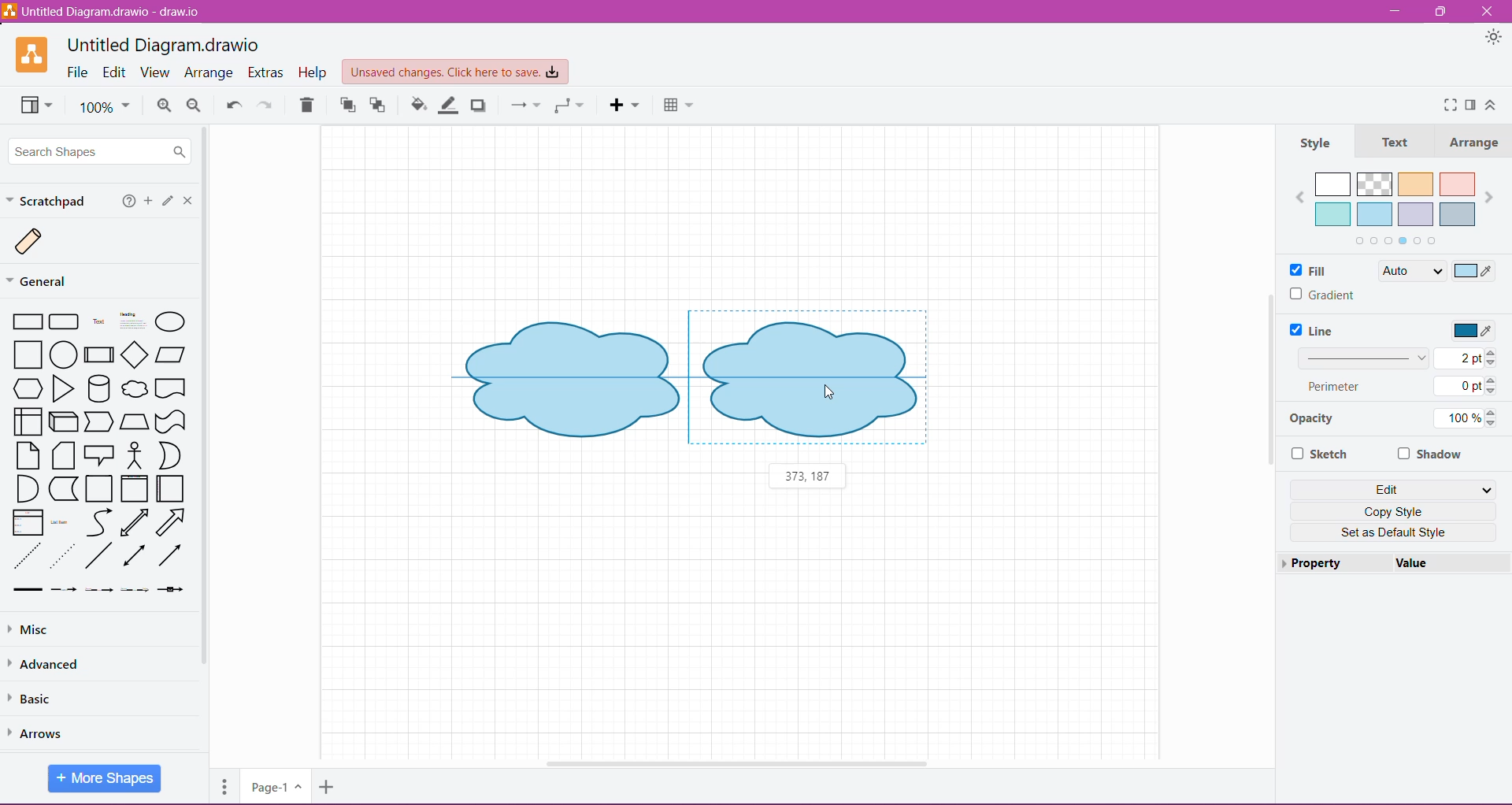 The width and height of the screenshot is (1512, 805). Describe the element at coordinates (234, 106) in the screenshot. I see `Undo` at that location.